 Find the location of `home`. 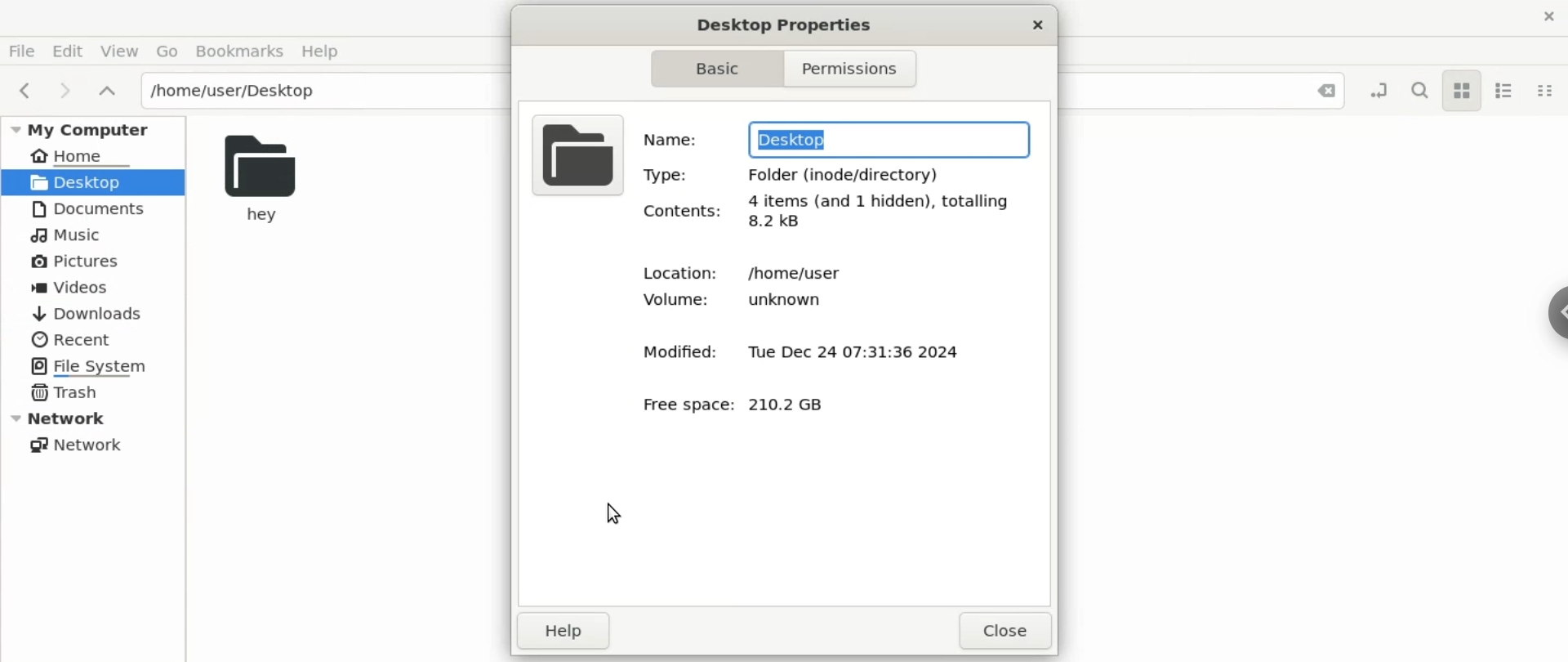

home is located at coordinates (84, 155).